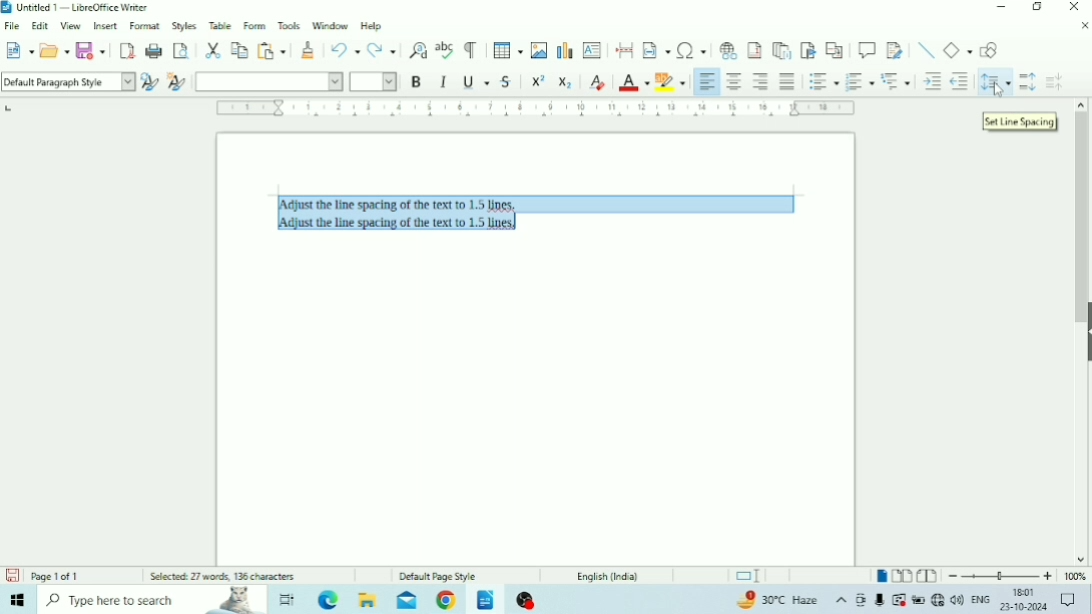 This screenshot has height=614, width=1092. What do you see at coordinates (902, 576) in the screenshot?
I see `Multiple-page view` at bounding box center [902, 576].